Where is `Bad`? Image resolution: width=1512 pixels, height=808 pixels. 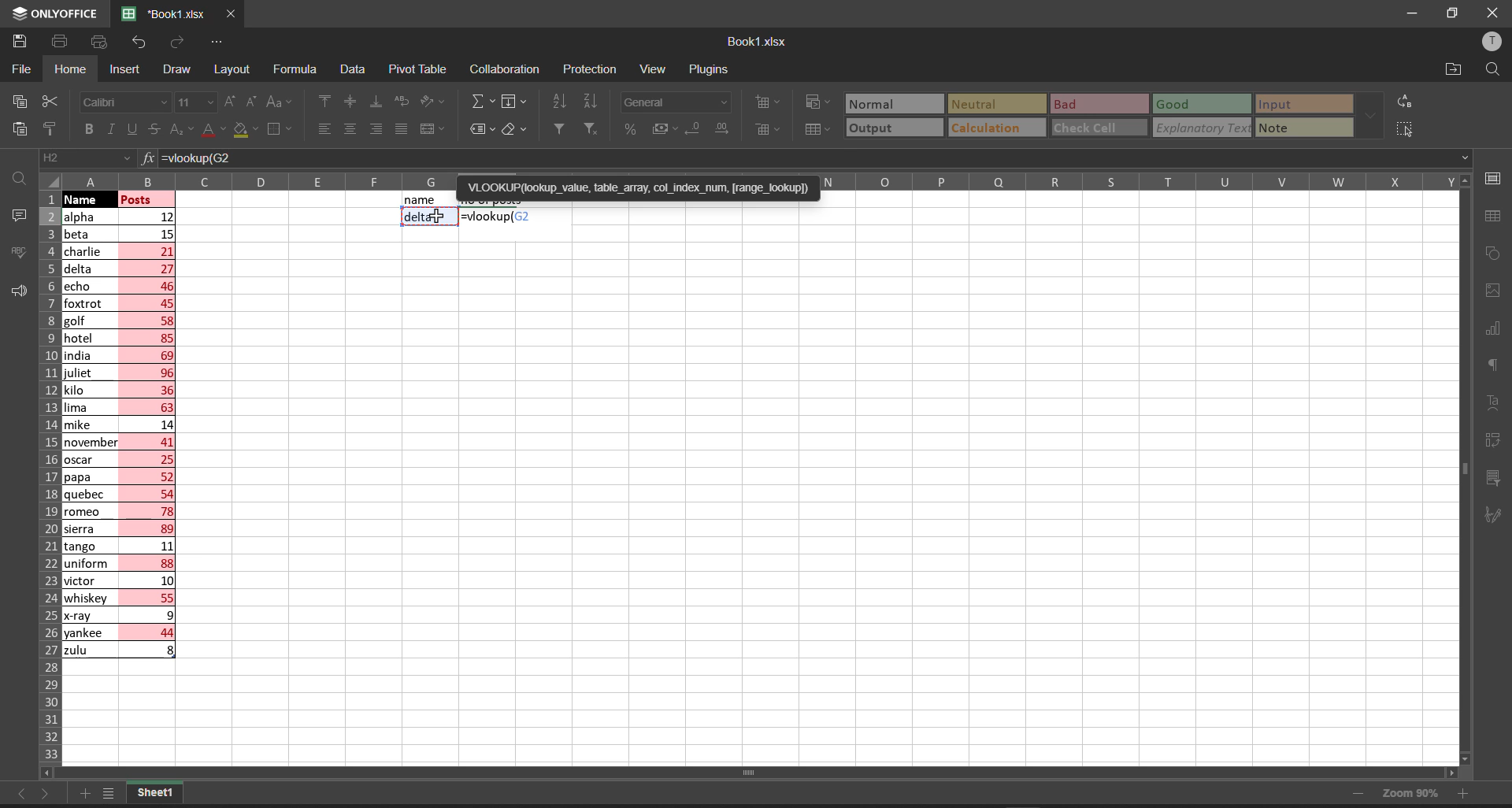 Bad is located at coordinates (1070, 104).